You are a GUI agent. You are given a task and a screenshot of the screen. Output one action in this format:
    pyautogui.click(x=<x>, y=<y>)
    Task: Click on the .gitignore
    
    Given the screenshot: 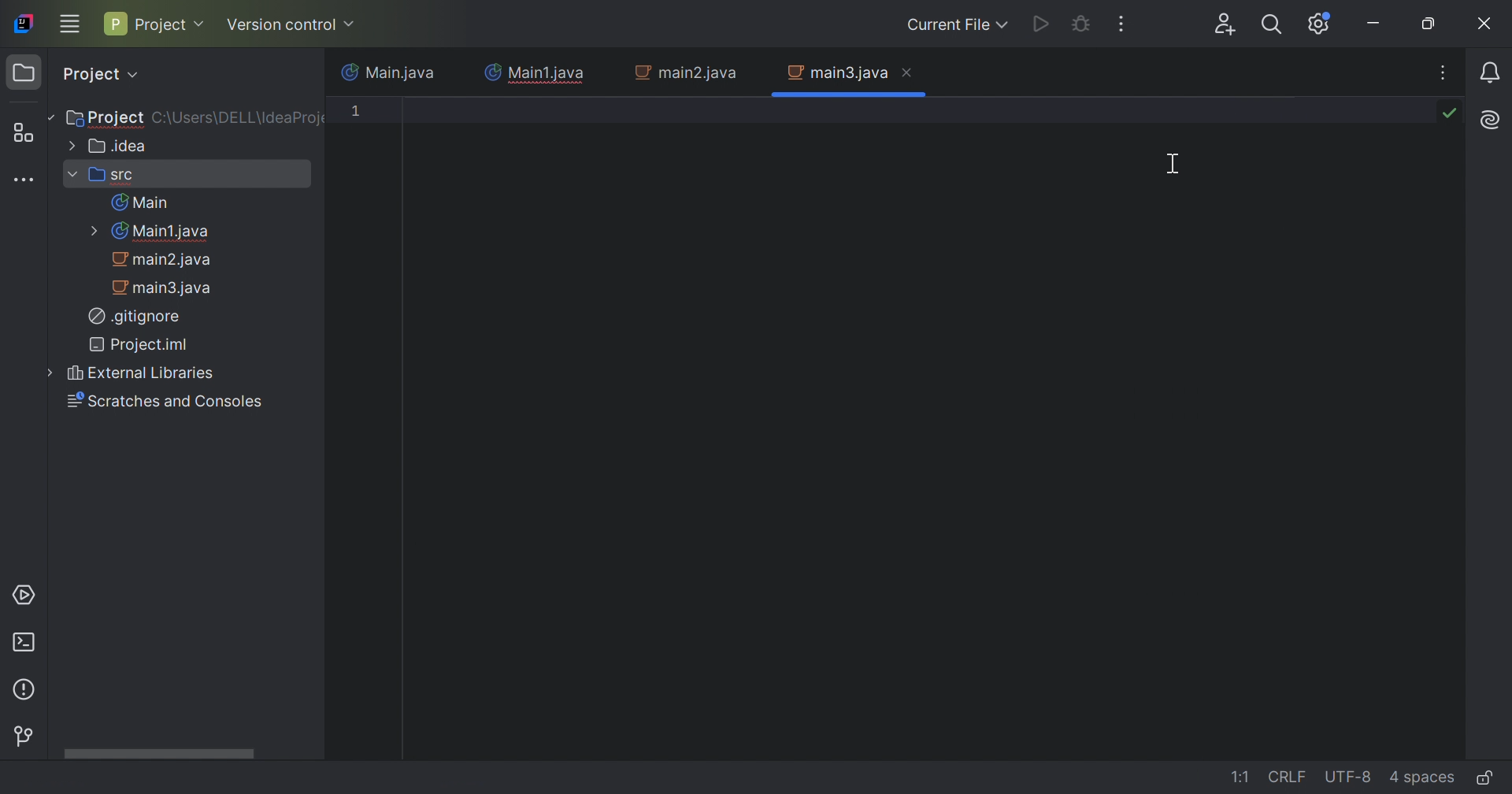 What is the action you would take?
    pyautogui.click(x=133, y=315)
    